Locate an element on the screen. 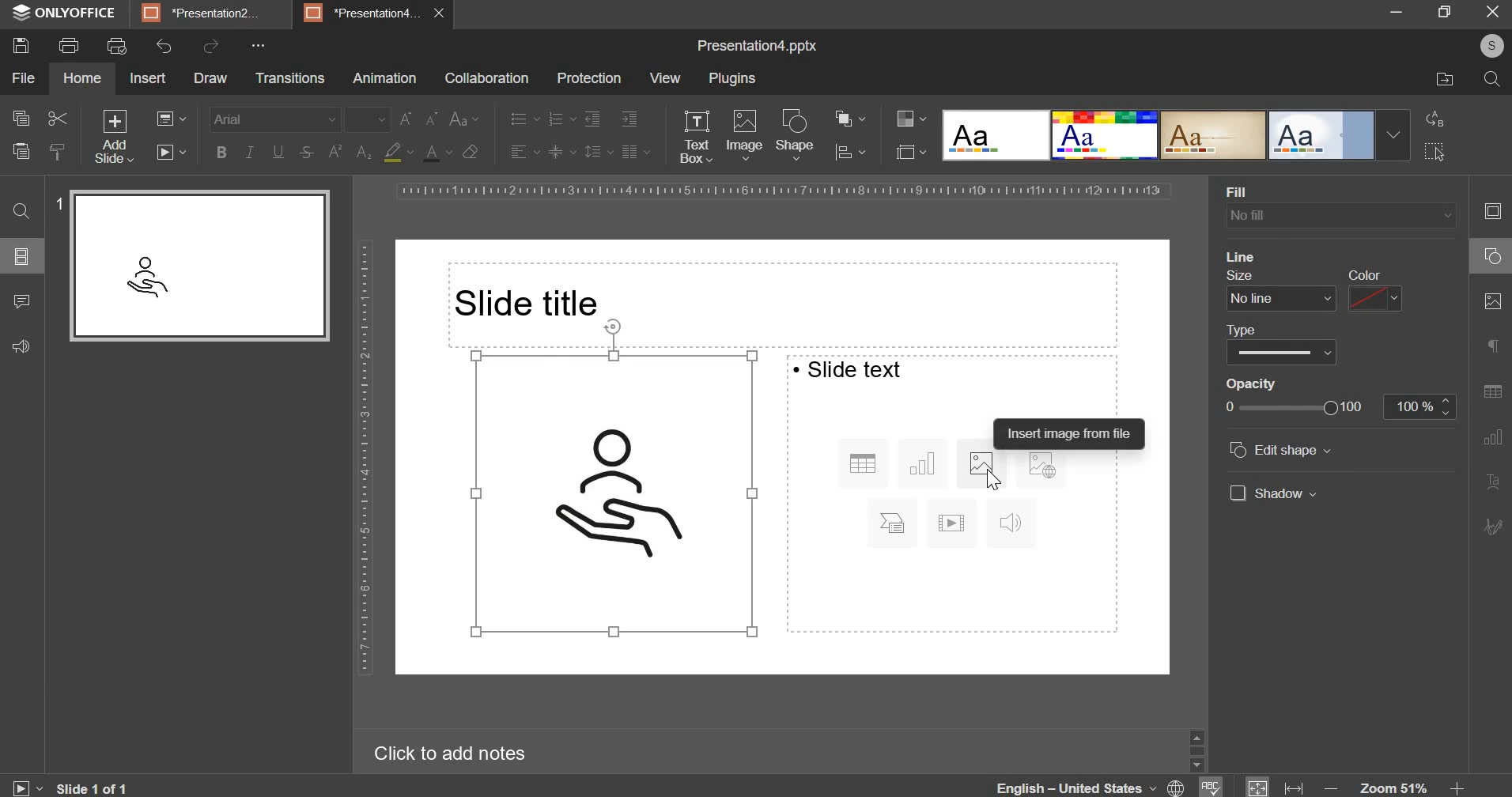 Image resolution: width=1512 pixels, height=797 pixels. line size is located at coordinates (1280, 299).